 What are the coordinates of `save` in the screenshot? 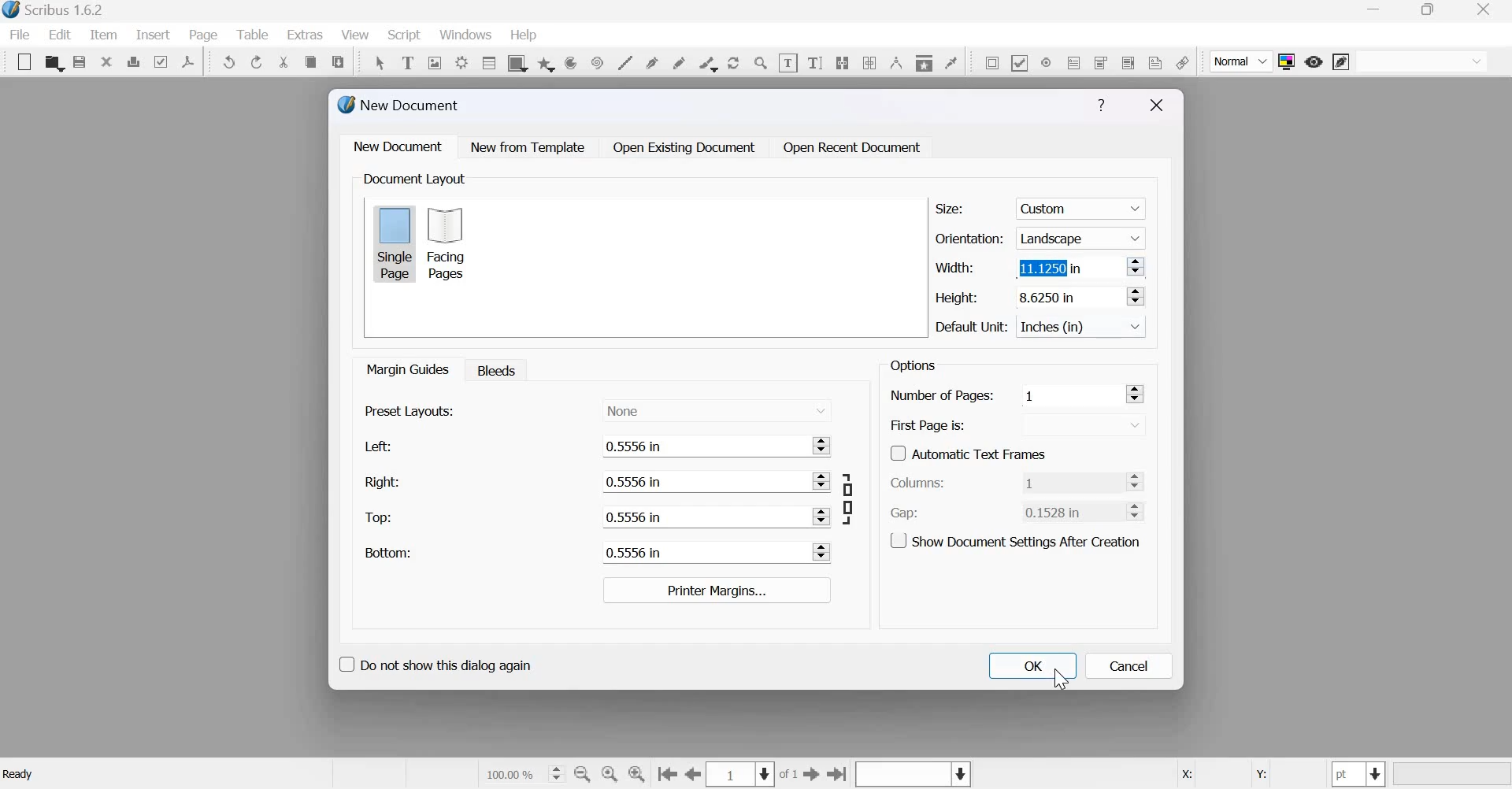 It's located at (80, 62).